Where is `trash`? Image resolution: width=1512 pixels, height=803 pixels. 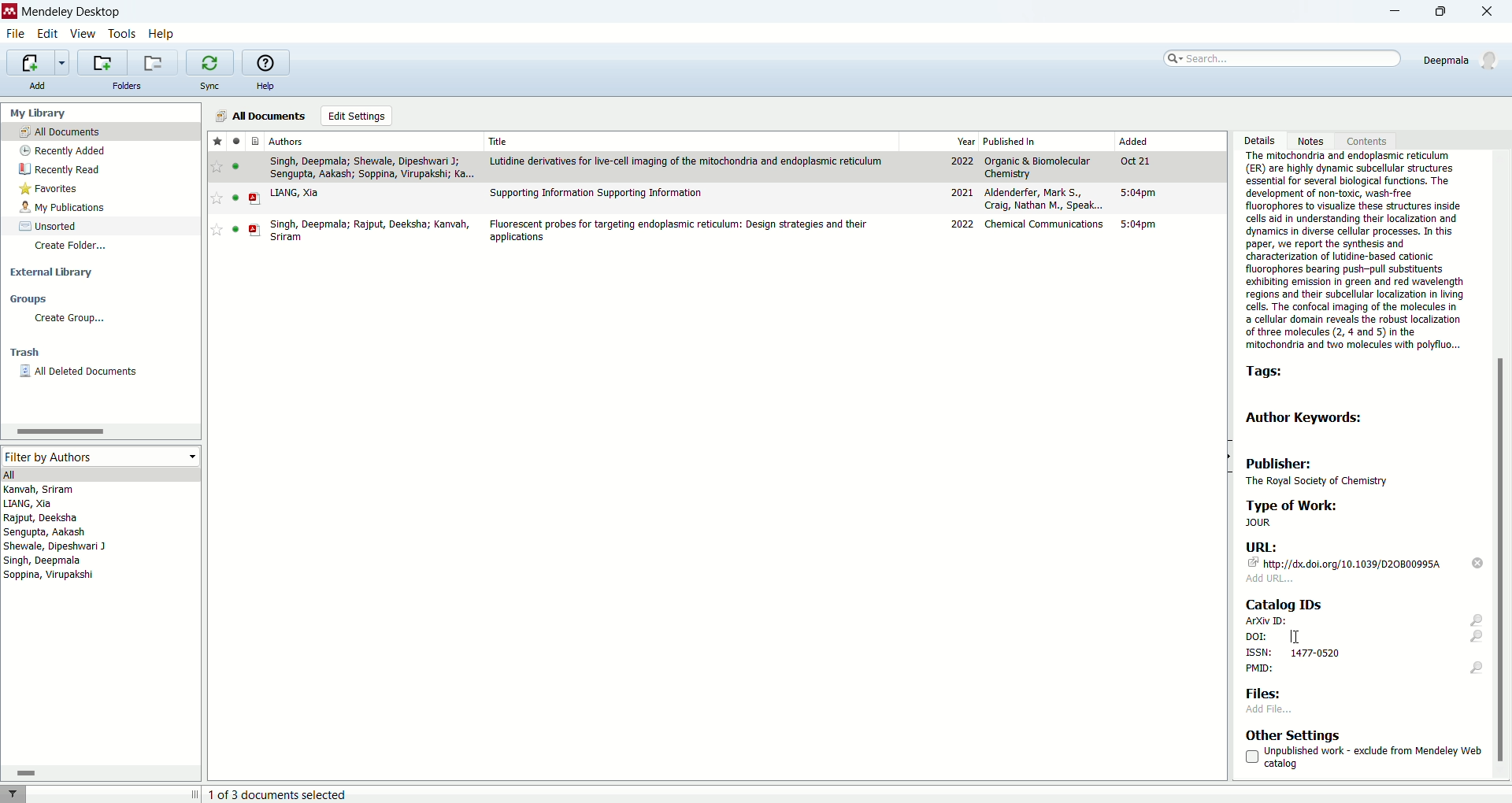
trash is located at coordinates (25, 353).